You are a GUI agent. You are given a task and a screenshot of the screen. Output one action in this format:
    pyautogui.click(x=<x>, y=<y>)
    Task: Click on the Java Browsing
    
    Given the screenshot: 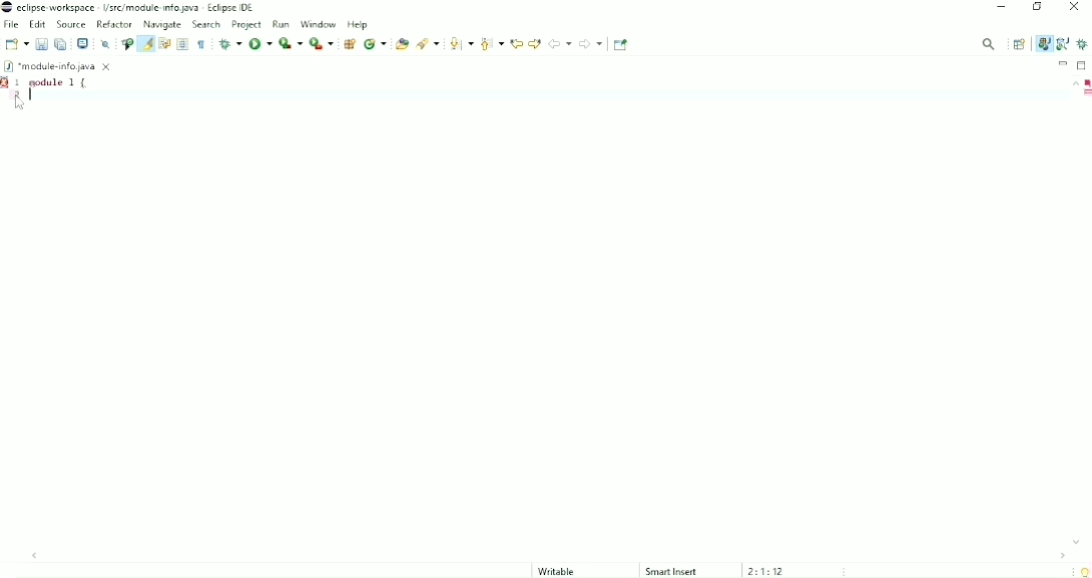 What is the action you would take?
    pyautogui.click(x=1063, y=44)
    